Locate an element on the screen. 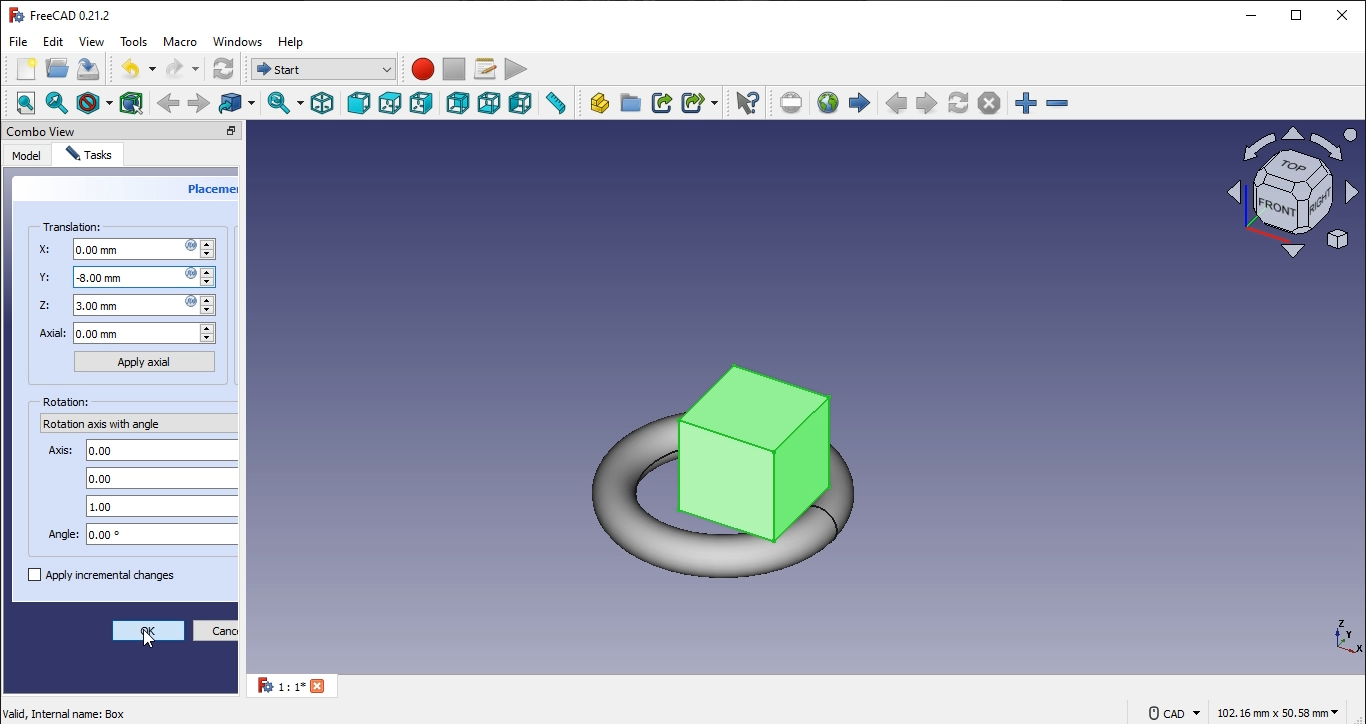 The height and width of the screenshot is (724, 1366). view is located at coordinates (92, 42).